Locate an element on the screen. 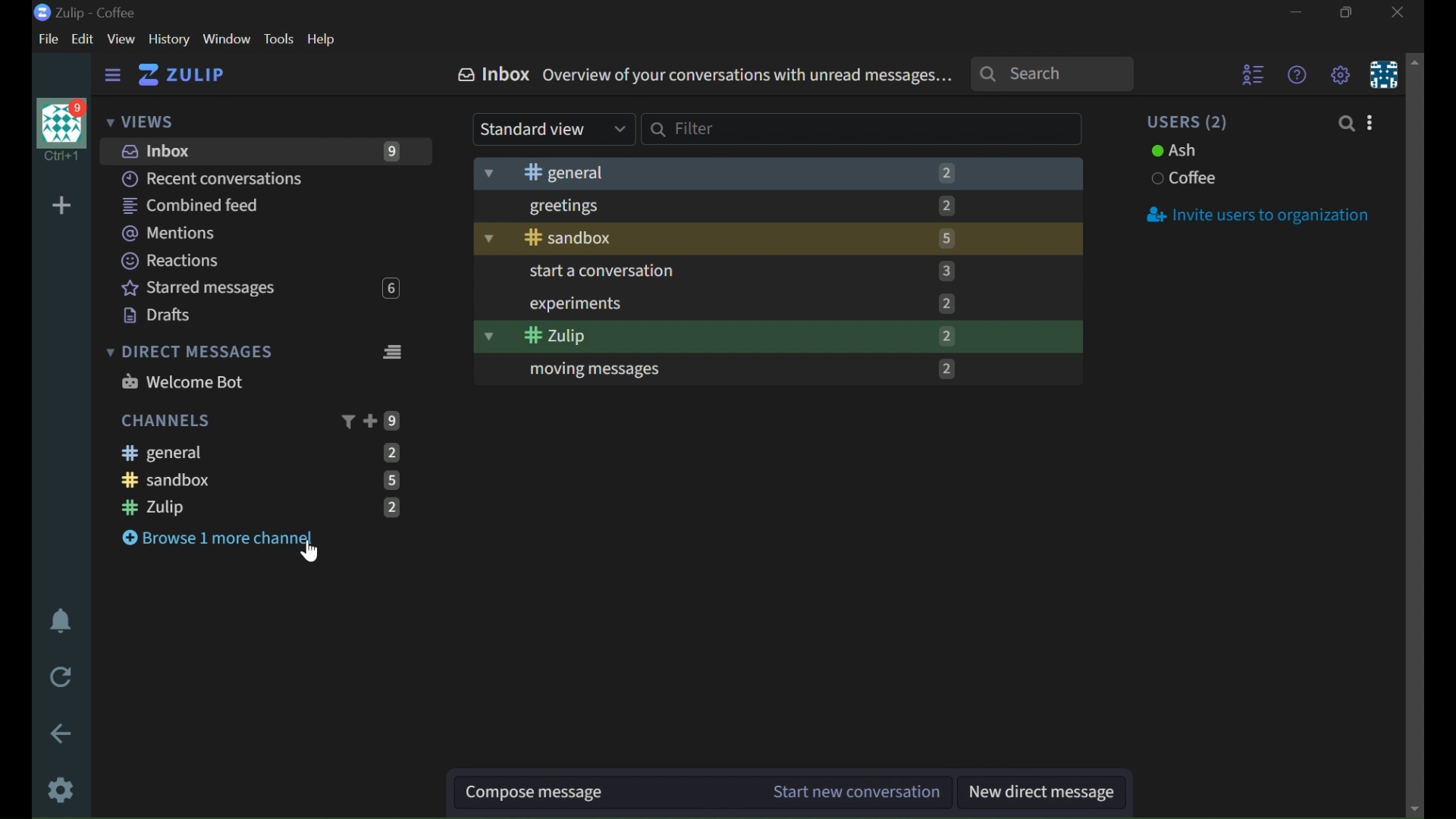 Image resolution: width=1456 pixels, height=819 pixels. VIEWS is located at coordinates (140, 118).